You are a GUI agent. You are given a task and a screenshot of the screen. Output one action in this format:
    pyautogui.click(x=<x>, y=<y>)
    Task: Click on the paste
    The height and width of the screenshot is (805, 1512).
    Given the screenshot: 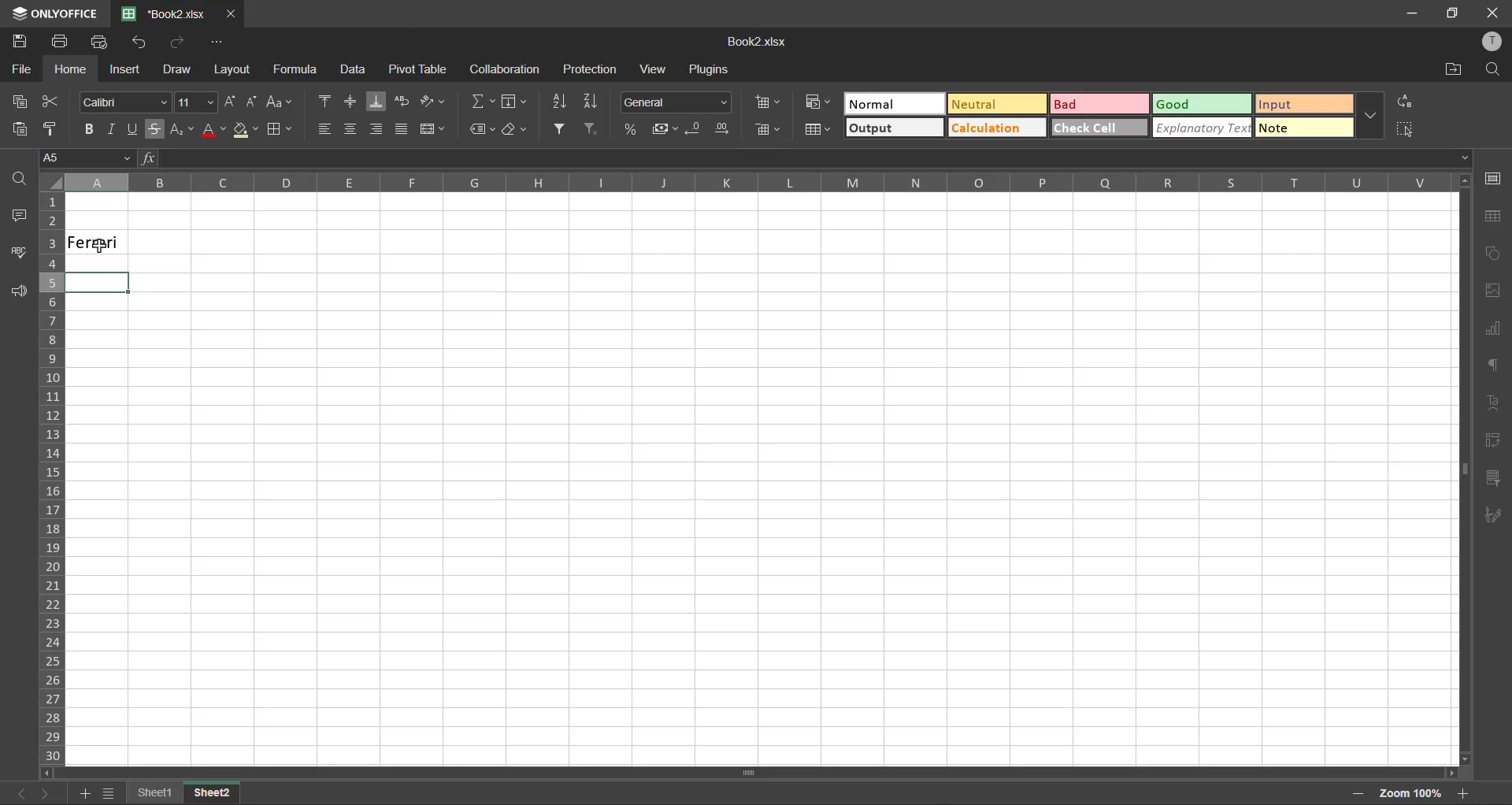 What is the action you would take?
    pyautogui.click(x=17, y=134)
    